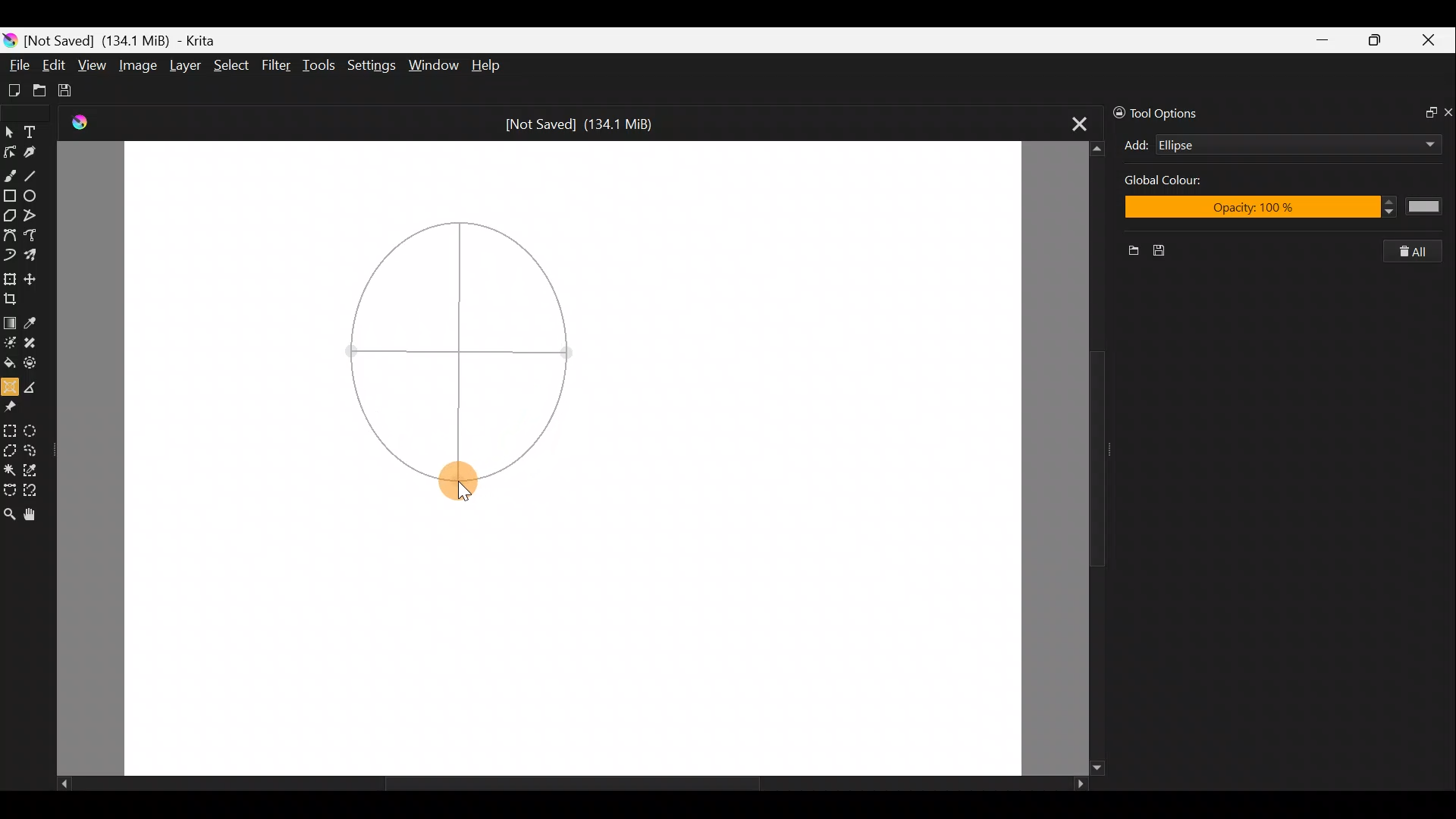 Image resolution: width=1456 pixels, height=819 pixels. I want to click on Help, so click(487, 66).